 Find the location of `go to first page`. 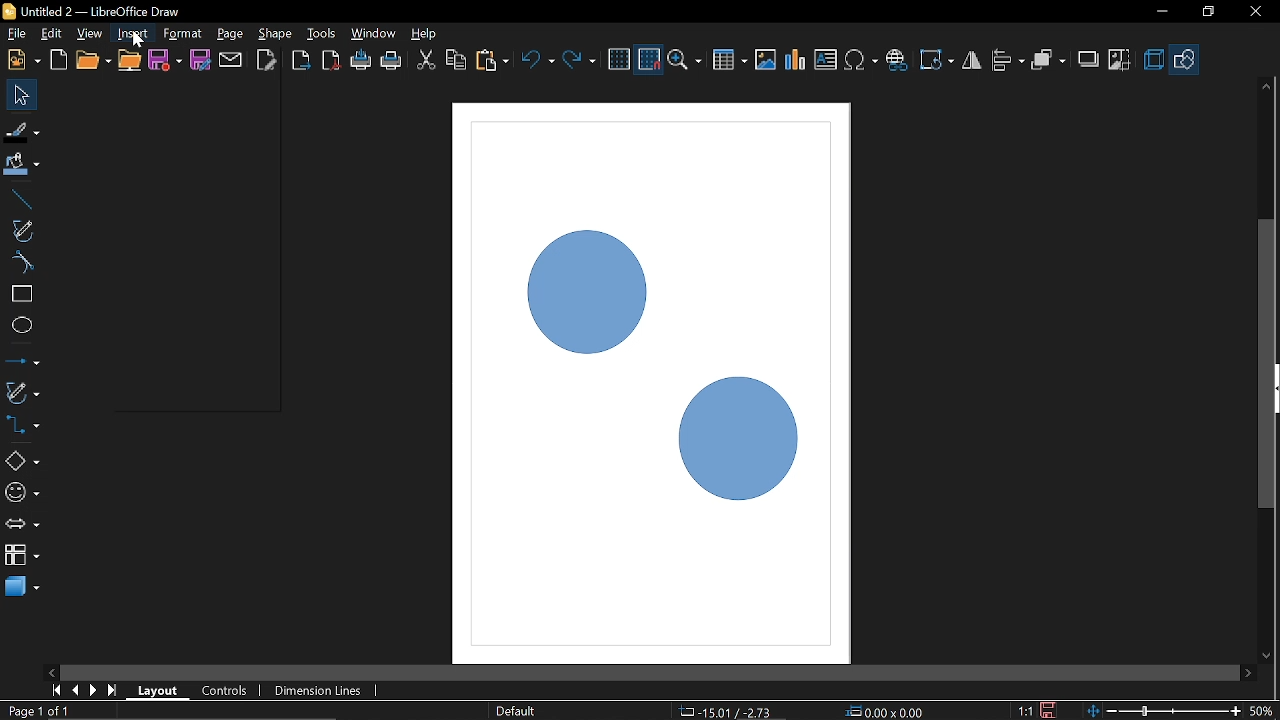

go to first page is located at coordinates (58, 689).